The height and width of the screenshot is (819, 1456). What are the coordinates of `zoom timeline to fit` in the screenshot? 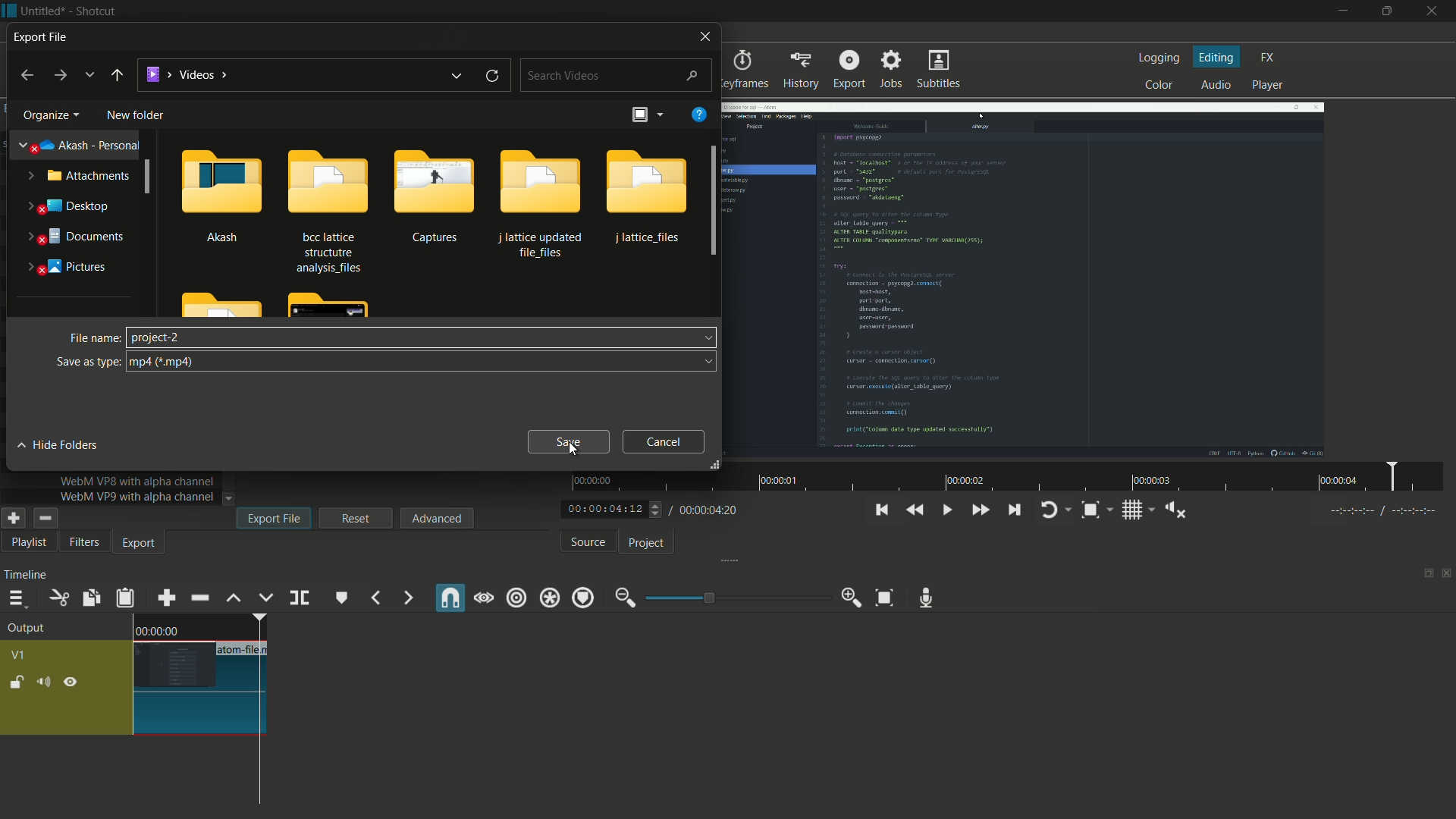 It's located at (882, 596).